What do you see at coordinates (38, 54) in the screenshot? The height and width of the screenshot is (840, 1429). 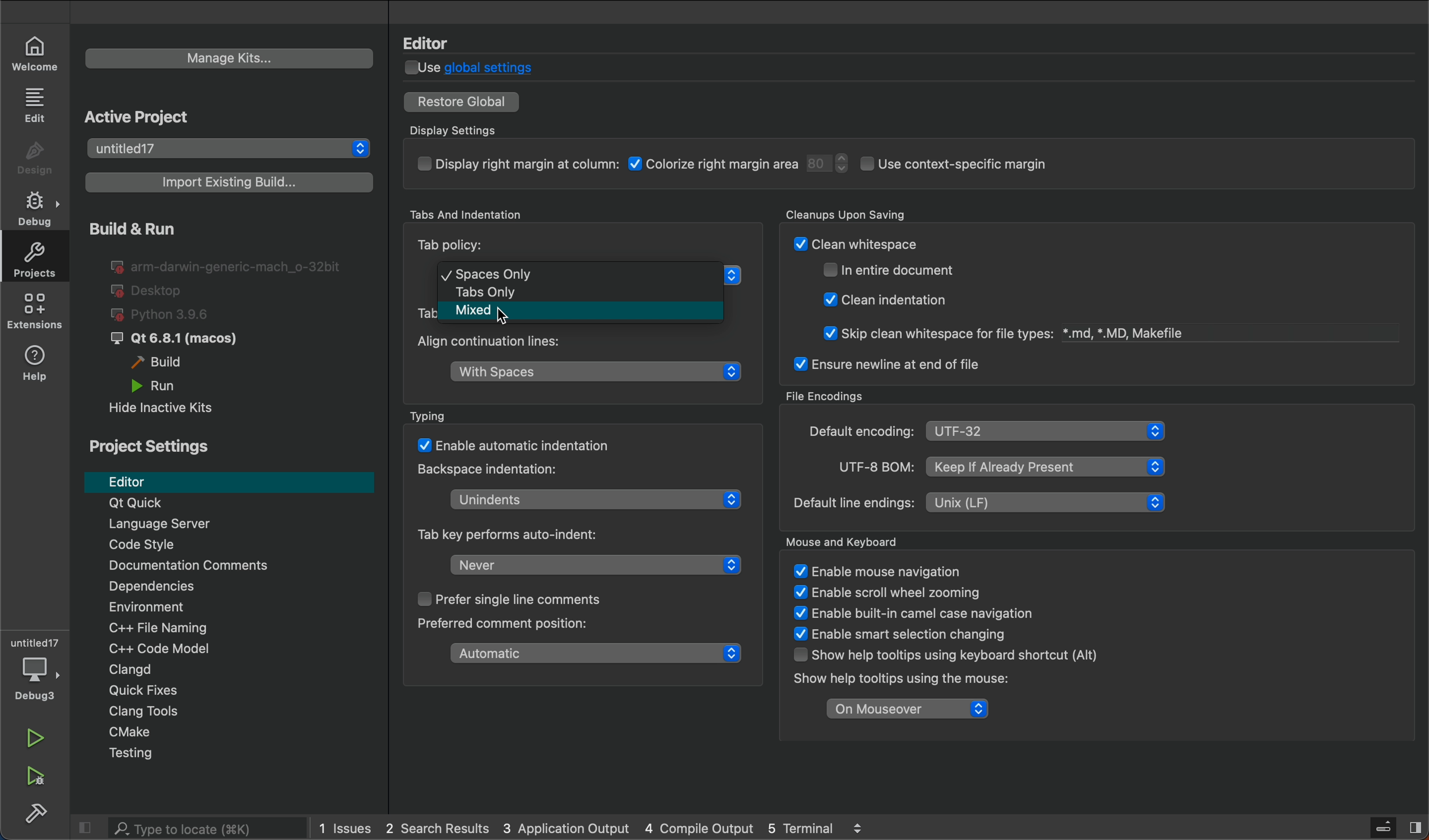 I see `welcome` at bounding box center [38, 54].